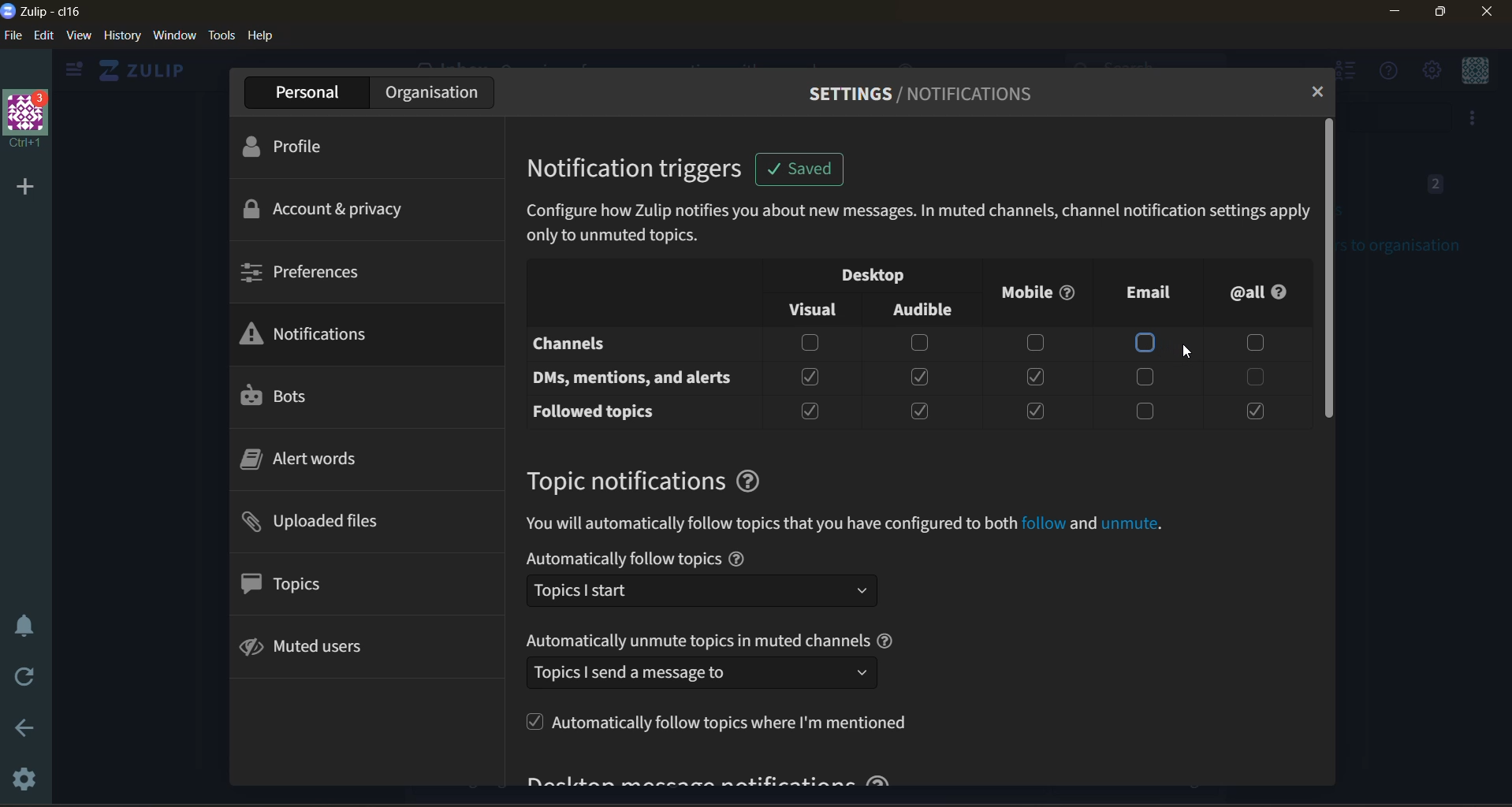  Describe the element at coordinates (622, 559) in the screenshot. I see `text` at that location.